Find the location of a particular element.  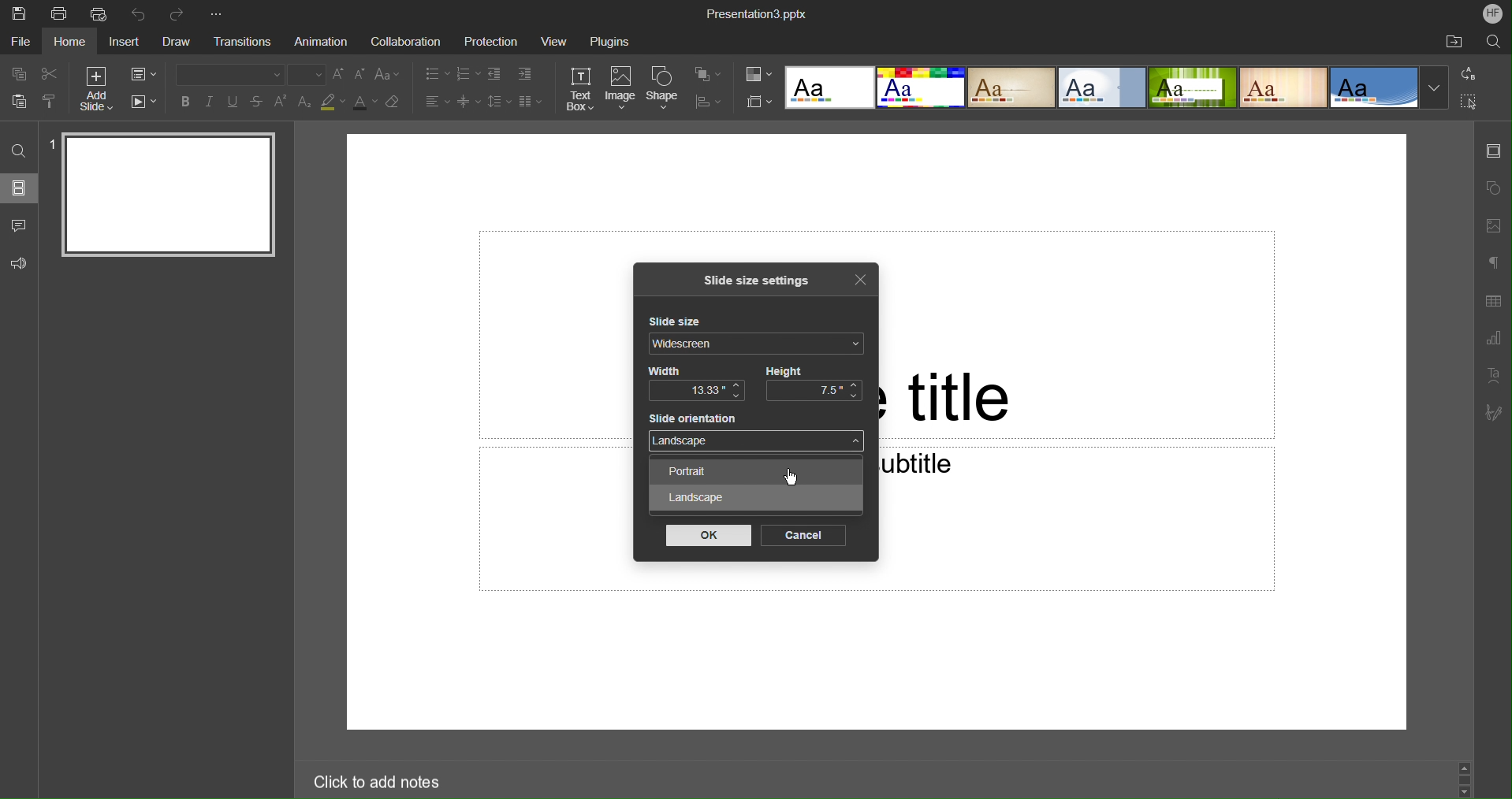

Shape is located at coordinates (665, 88).